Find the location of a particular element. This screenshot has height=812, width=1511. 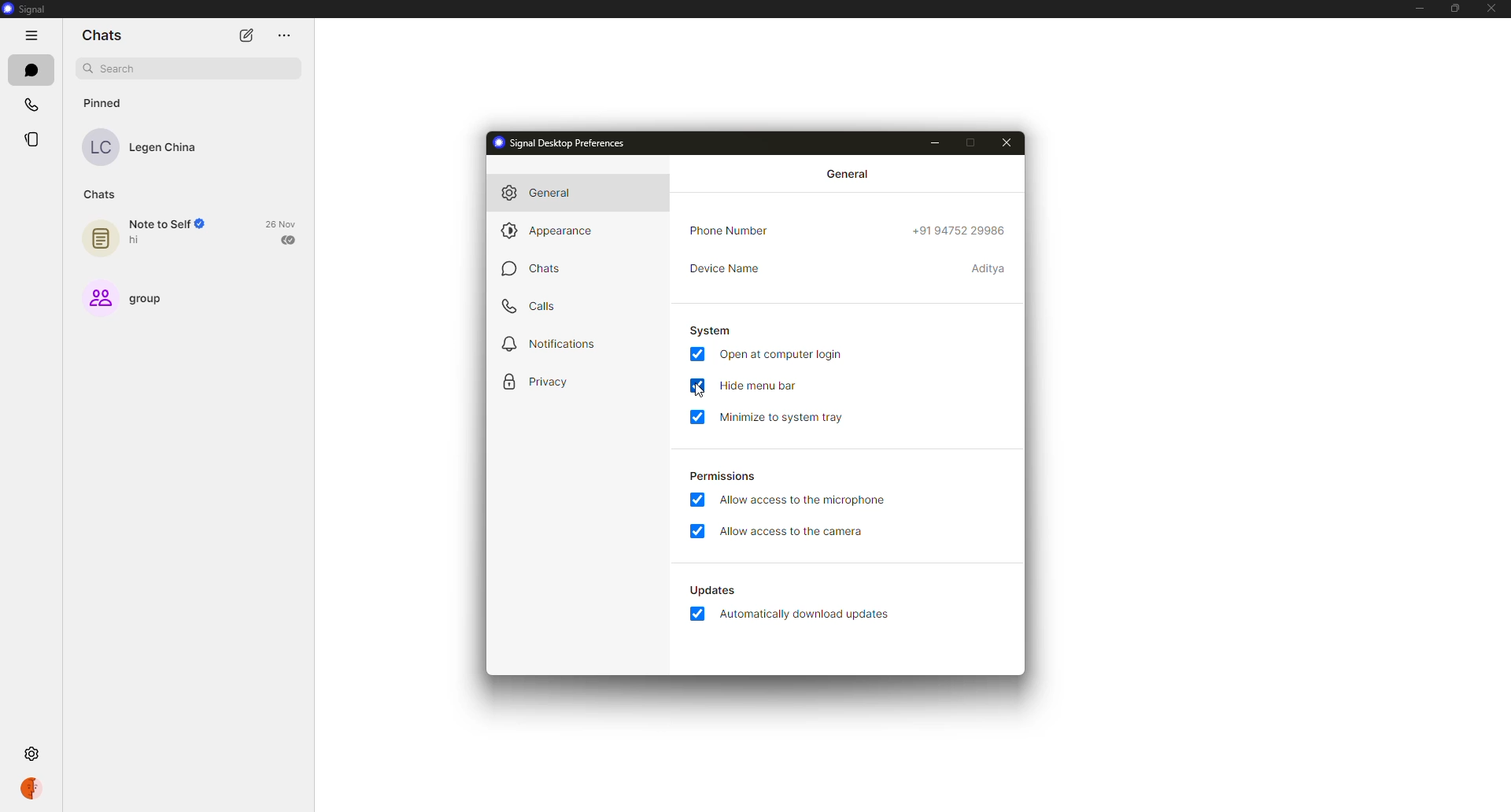

phone number is located at coordinates (730, 231).